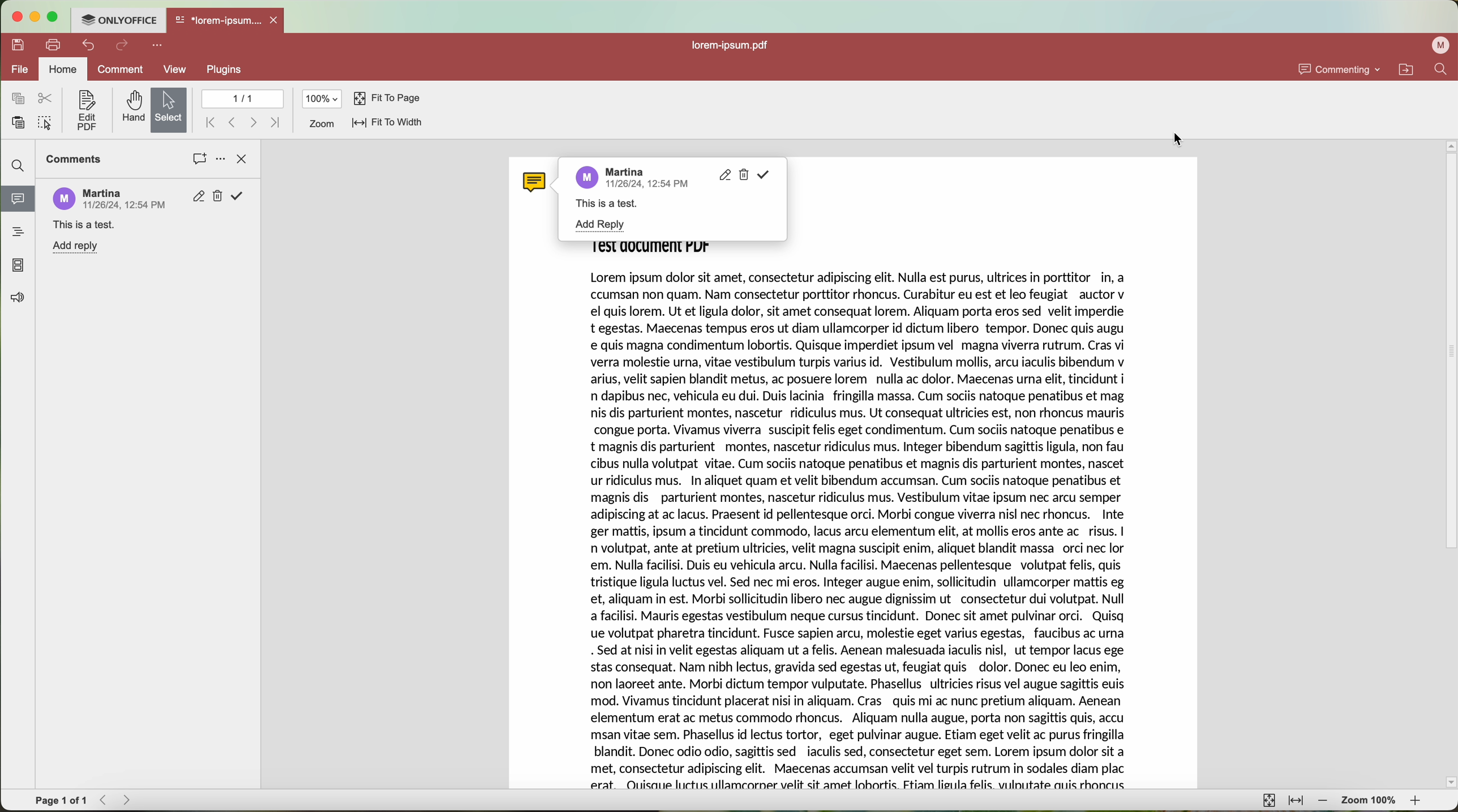 This screenshot has height=812, width=1458. Describe the element at coordinates (632, 174) in the screenshot. I see `Martina` at that location.